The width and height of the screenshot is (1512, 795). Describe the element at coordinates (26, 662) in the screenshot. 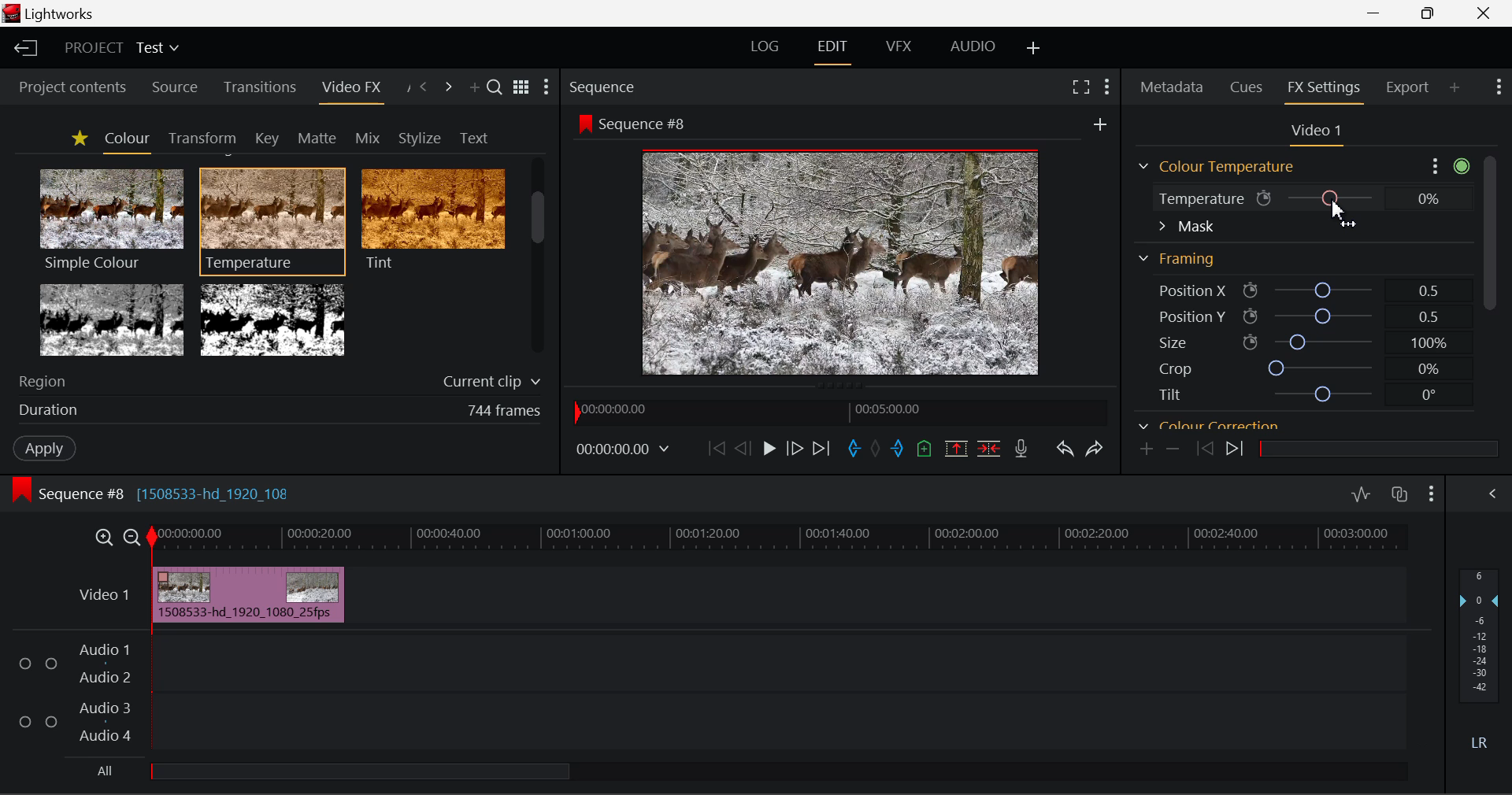

I see `Checkbox` at that location.